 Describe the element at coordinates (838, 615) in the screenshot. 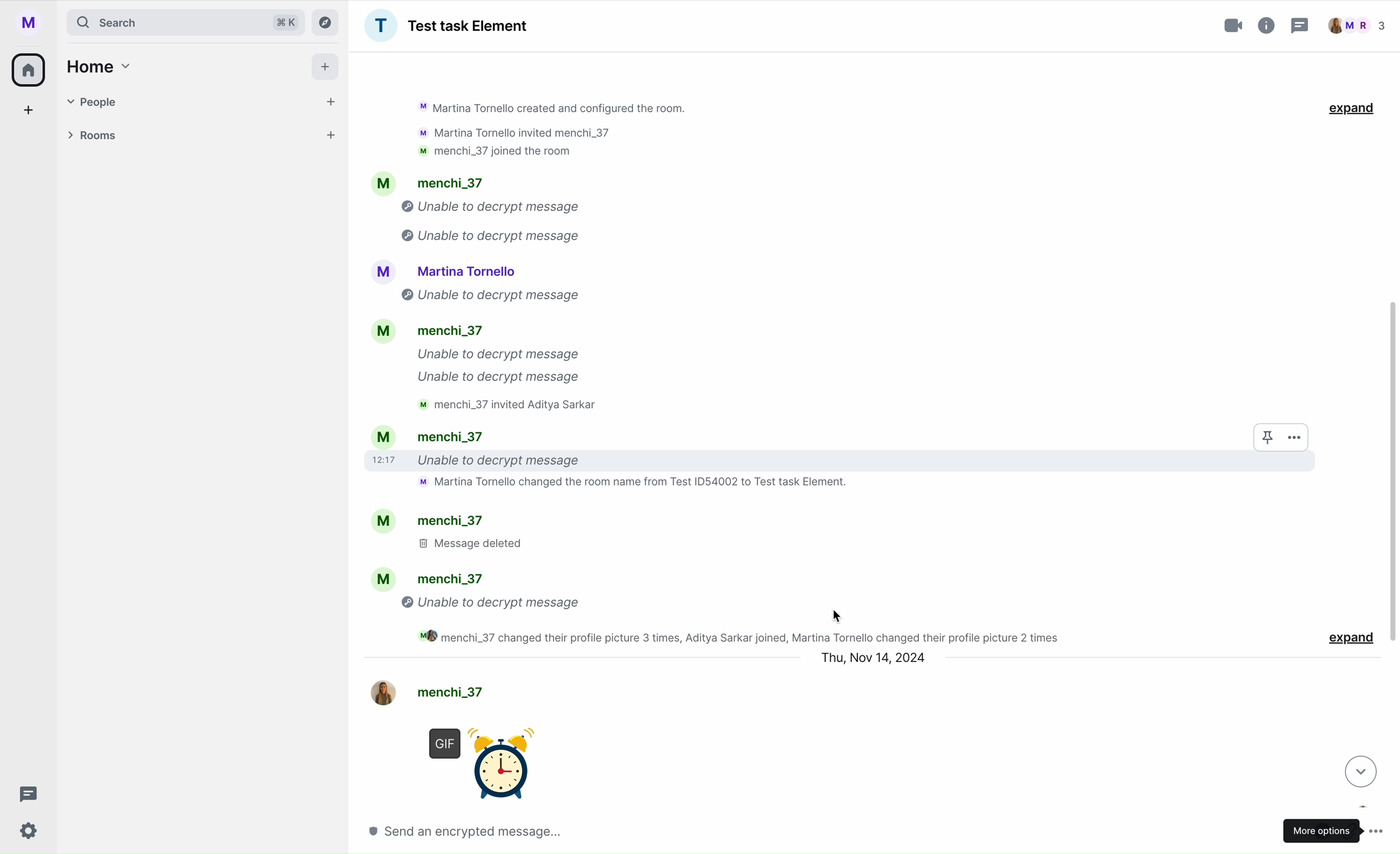

I see `cursor` at that location.